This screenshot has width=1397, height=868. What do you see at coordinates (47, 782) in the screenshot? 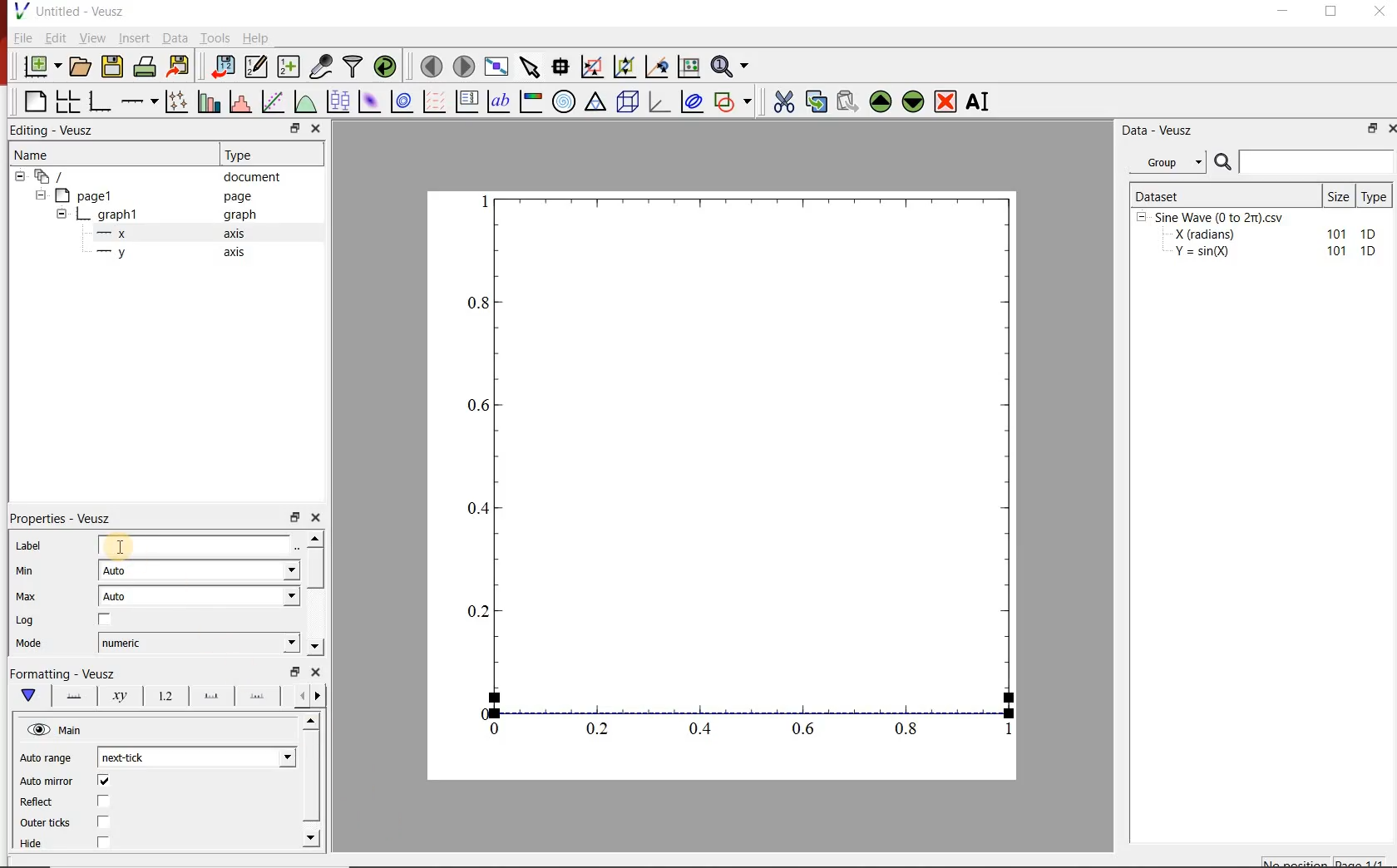
I see `Auto mirror` at bounding box center [47, 782].